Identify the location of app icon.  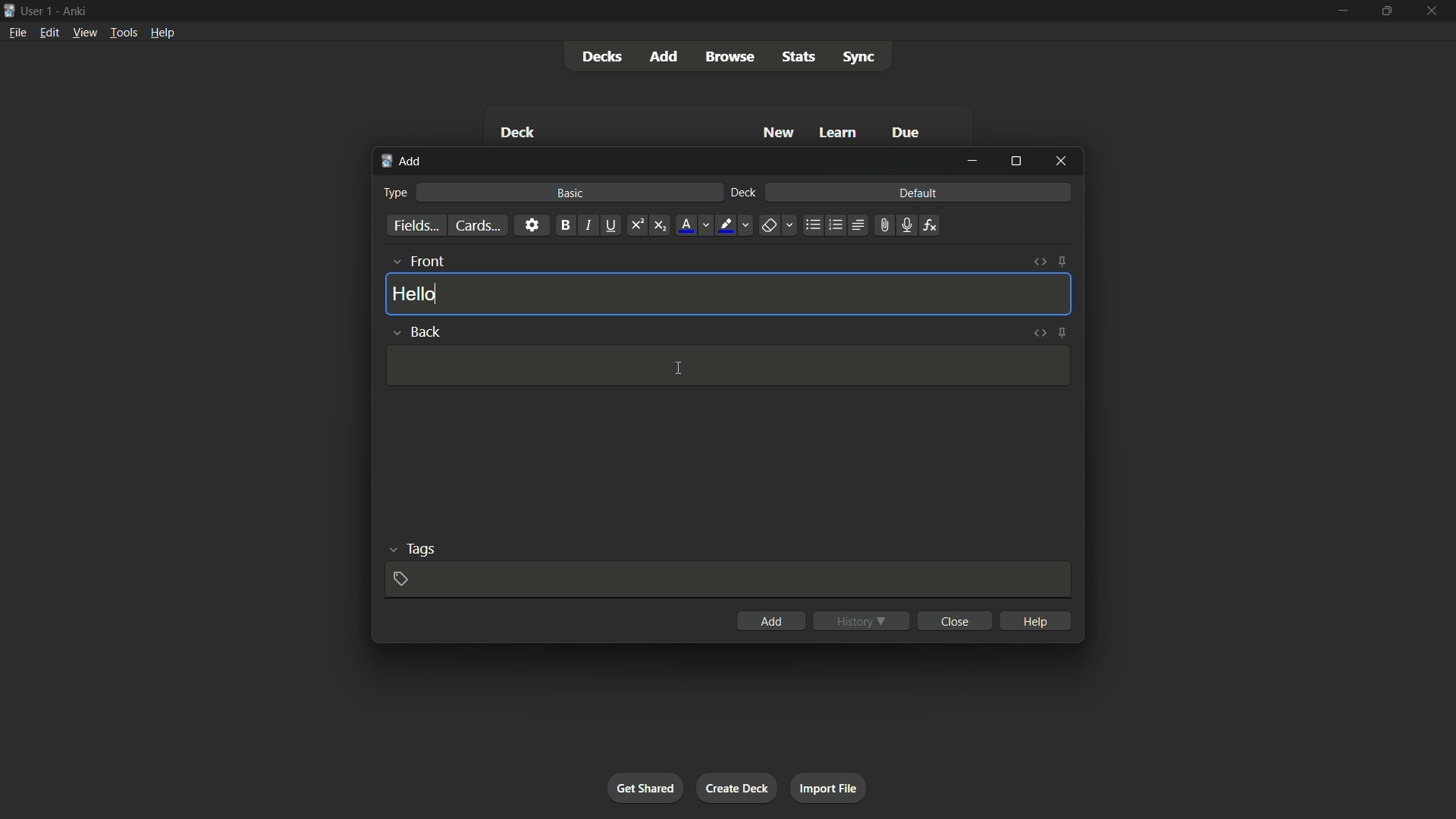
(9, 9).